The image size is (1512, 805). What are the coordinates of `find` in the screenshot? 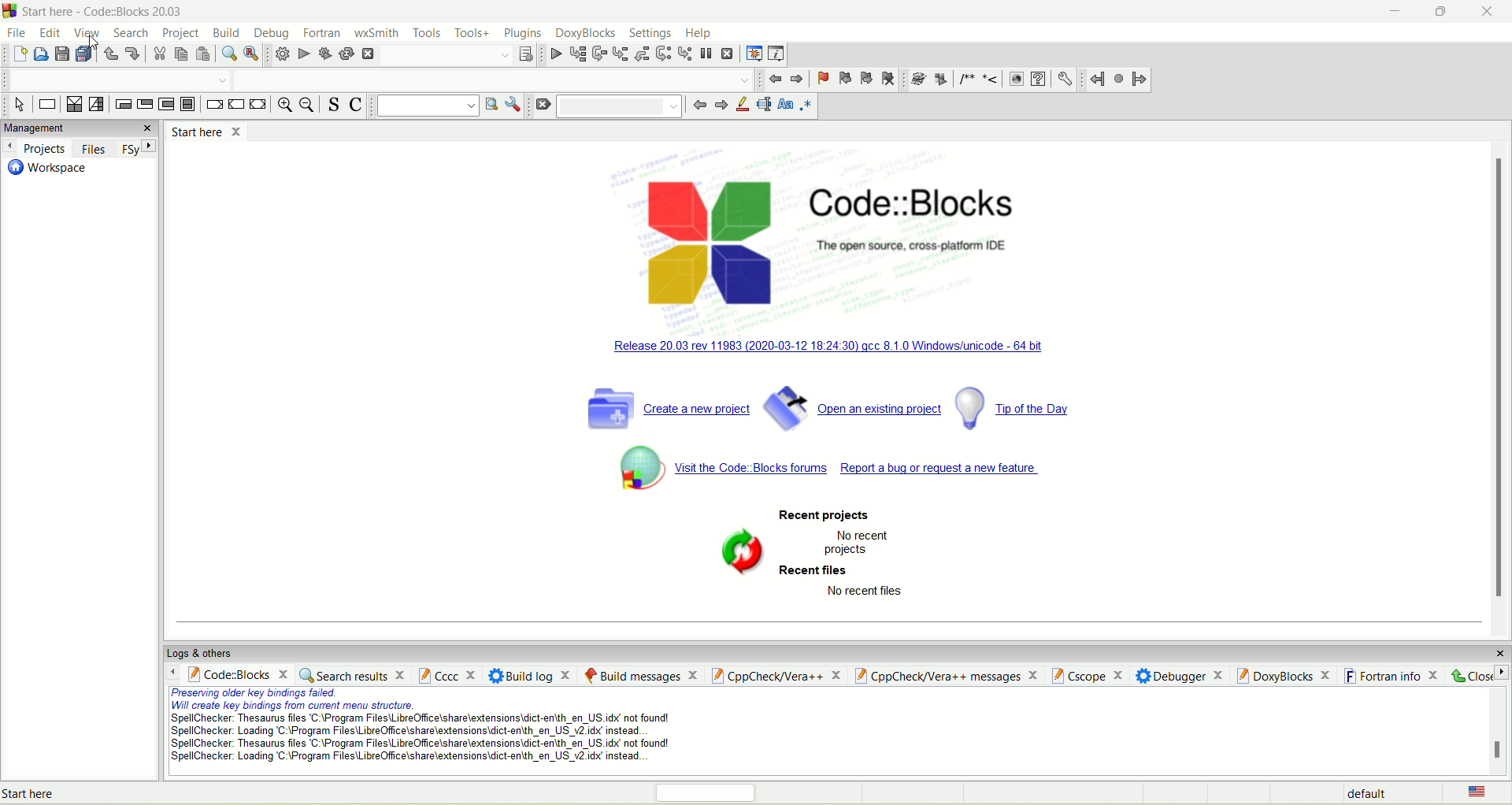 It's located at (226, 54).